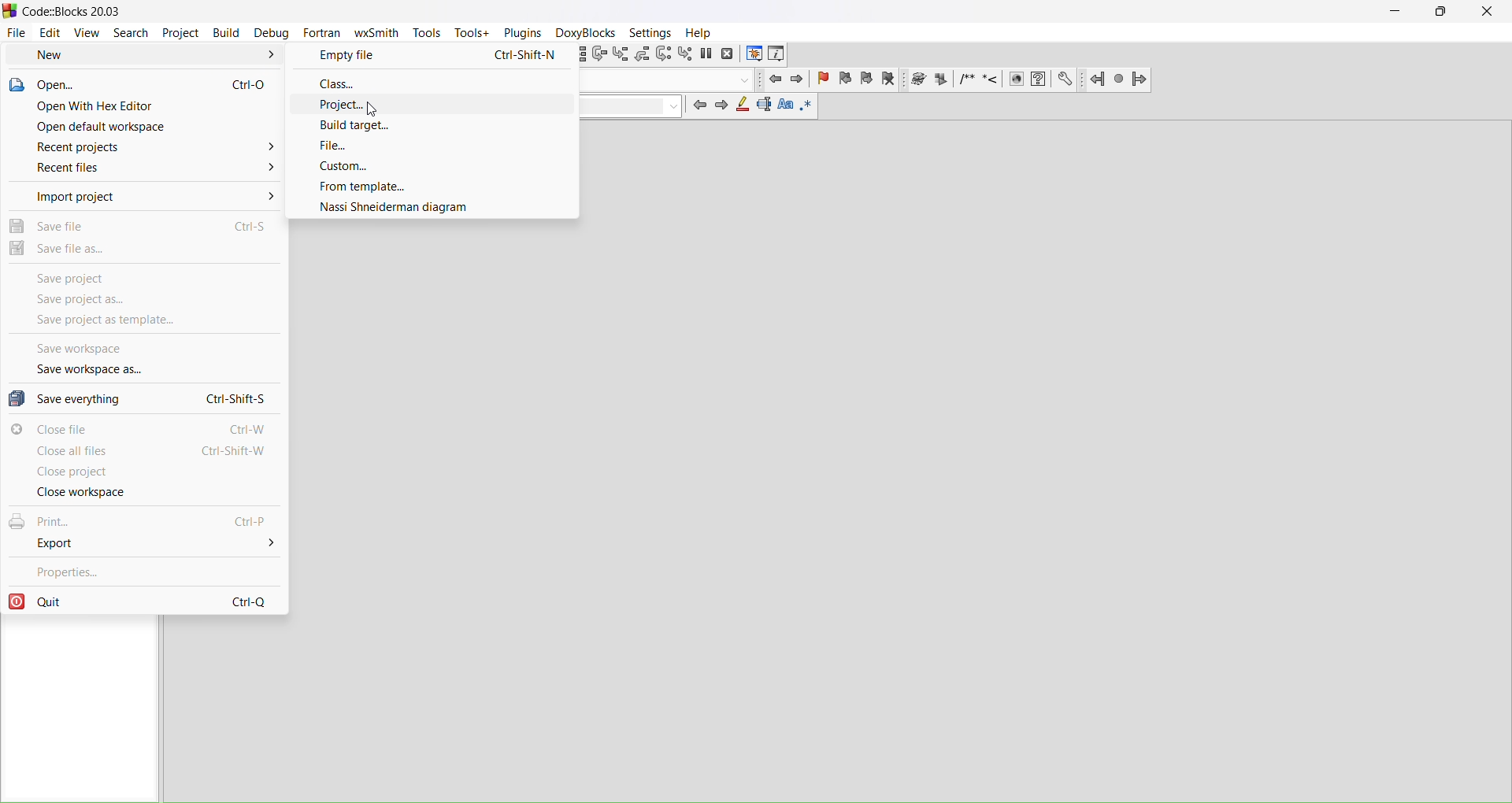  Describe the element at coordinates (141, 81) in the screenshot. I see `open` at that location.